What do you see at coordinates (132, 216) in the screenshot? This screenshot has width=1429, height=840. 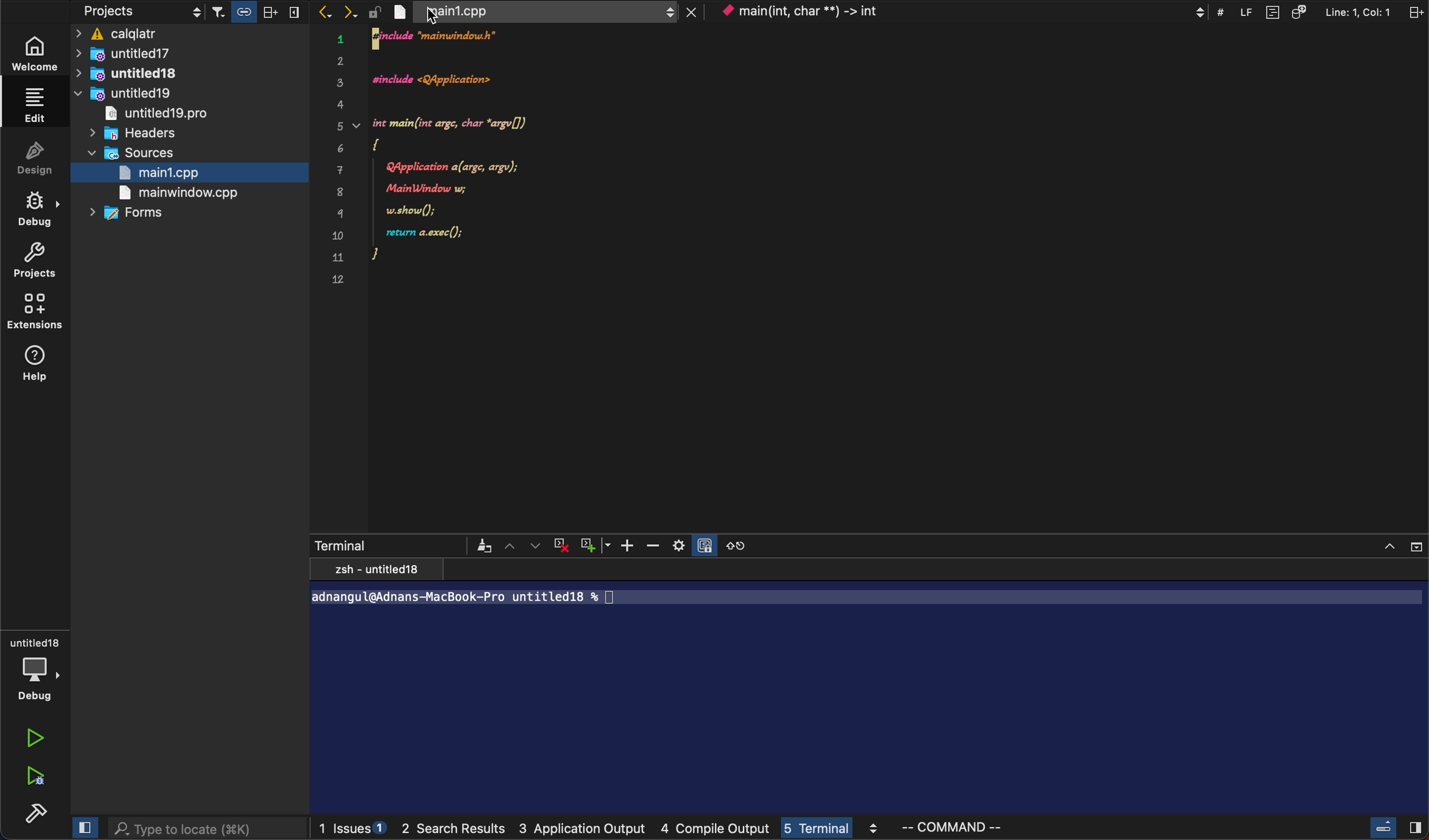 I see `forms` at bounding box center [132, 216].